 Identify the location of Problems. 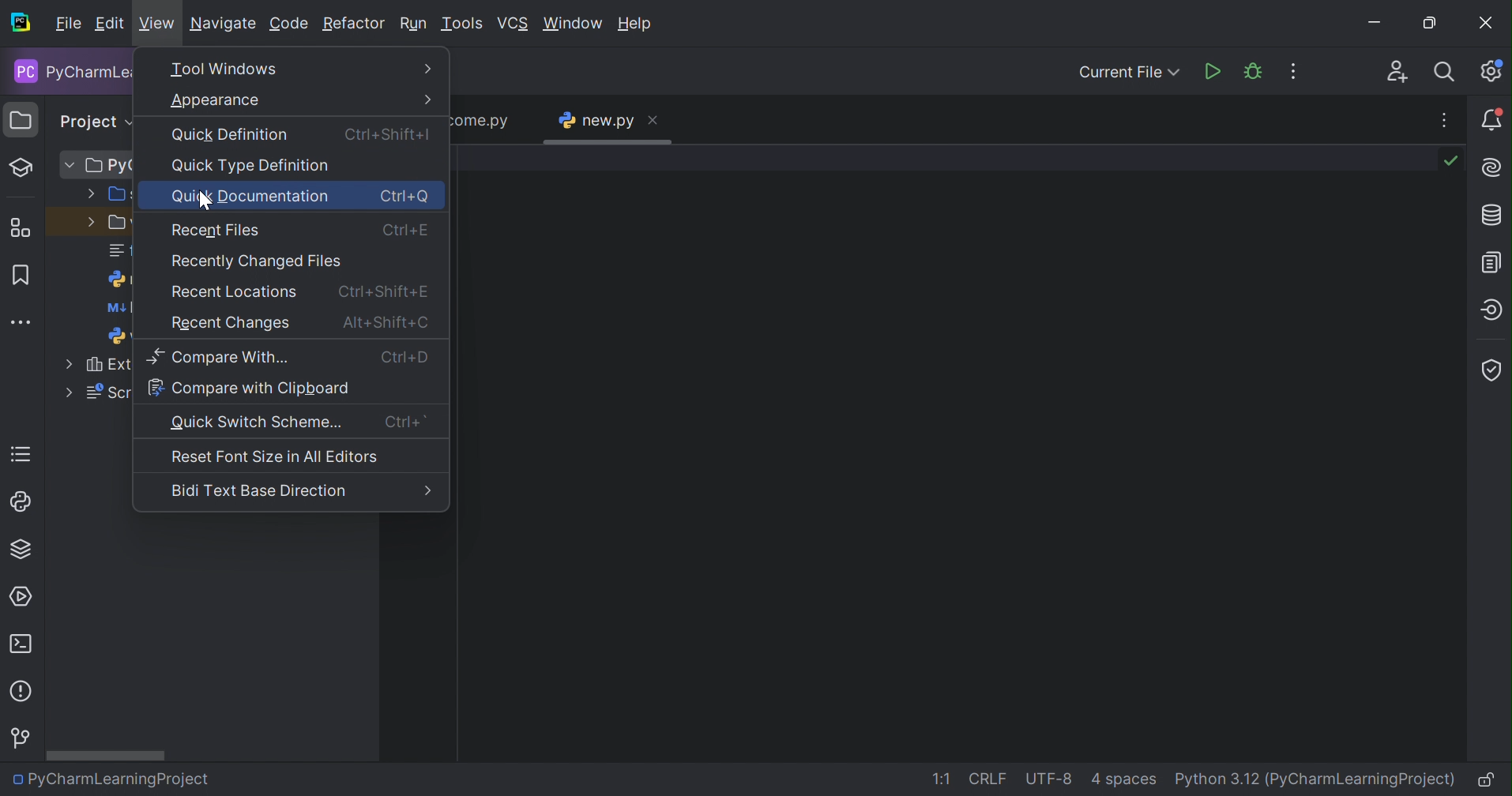
(23, 694).